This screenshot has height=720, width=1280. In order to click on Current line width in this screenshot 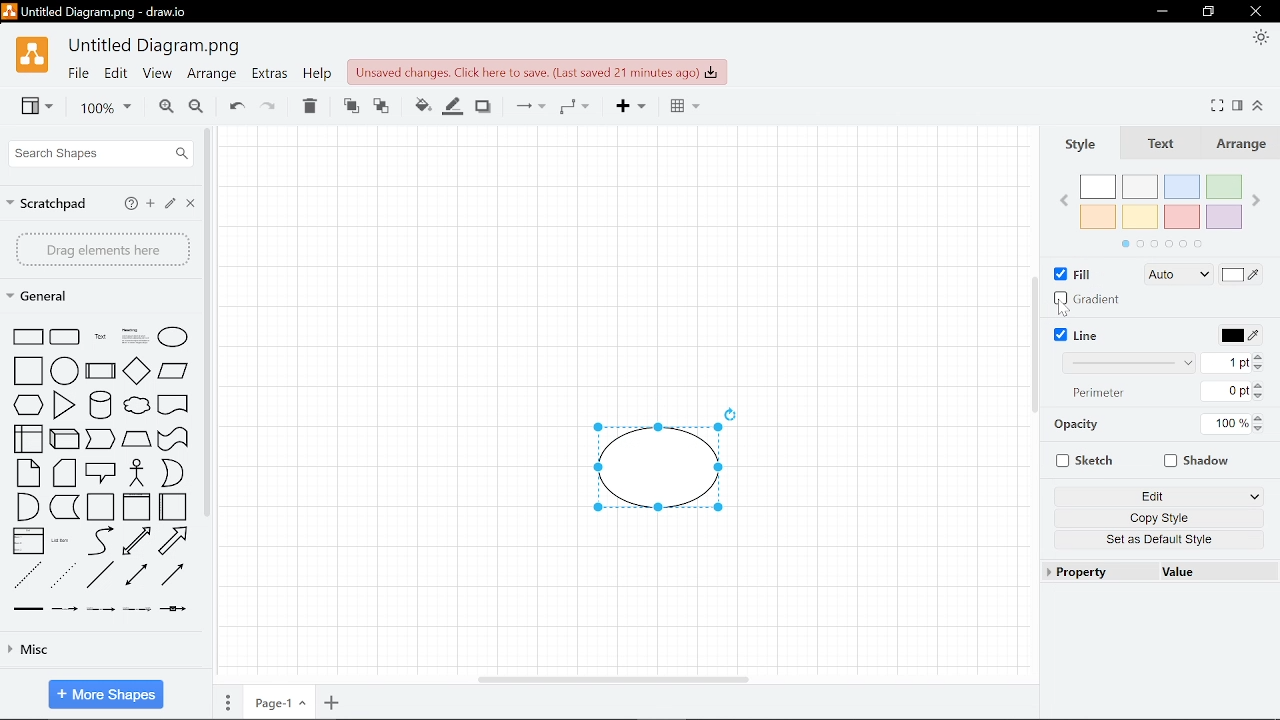, I will do `click(1232, 363)`.